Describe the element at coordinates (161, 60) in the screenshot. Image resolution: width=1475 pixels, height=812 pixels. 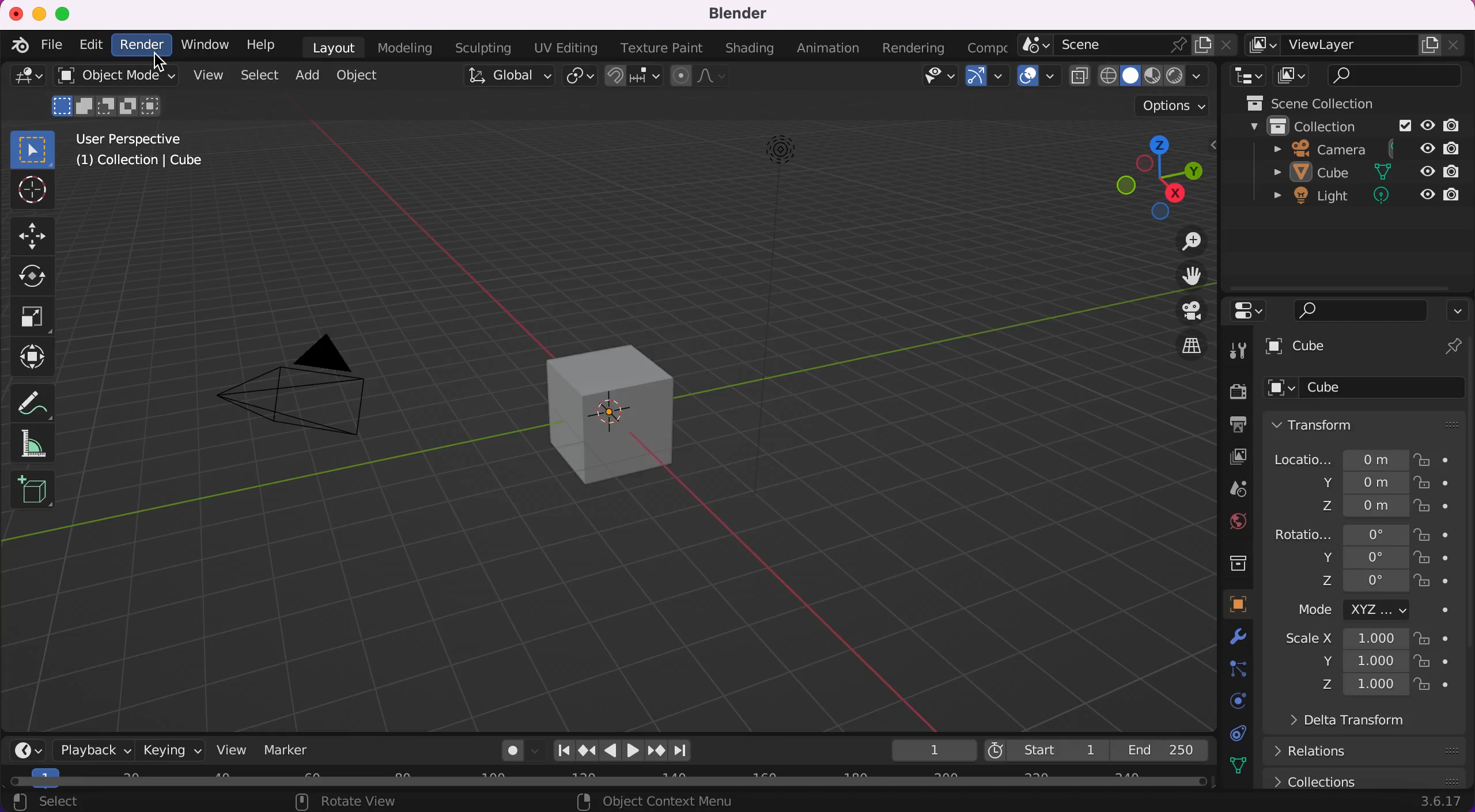
I see `cursor on render` at that location.